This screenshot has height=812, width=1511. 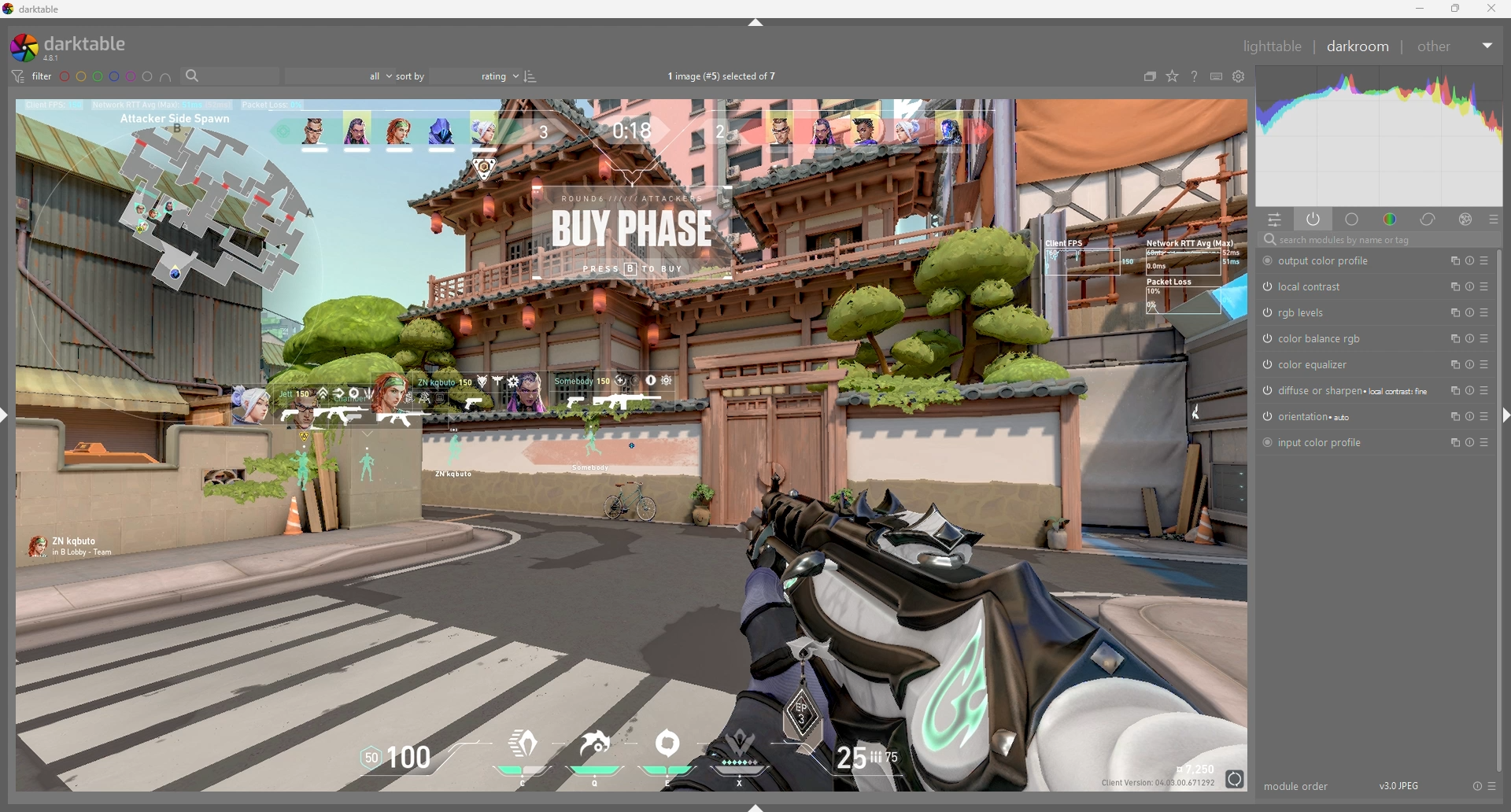 What do you see at coordinates (1450, 260) in the screenshot?
I see `multiple instances actions` at bounding box center [1450, 260].